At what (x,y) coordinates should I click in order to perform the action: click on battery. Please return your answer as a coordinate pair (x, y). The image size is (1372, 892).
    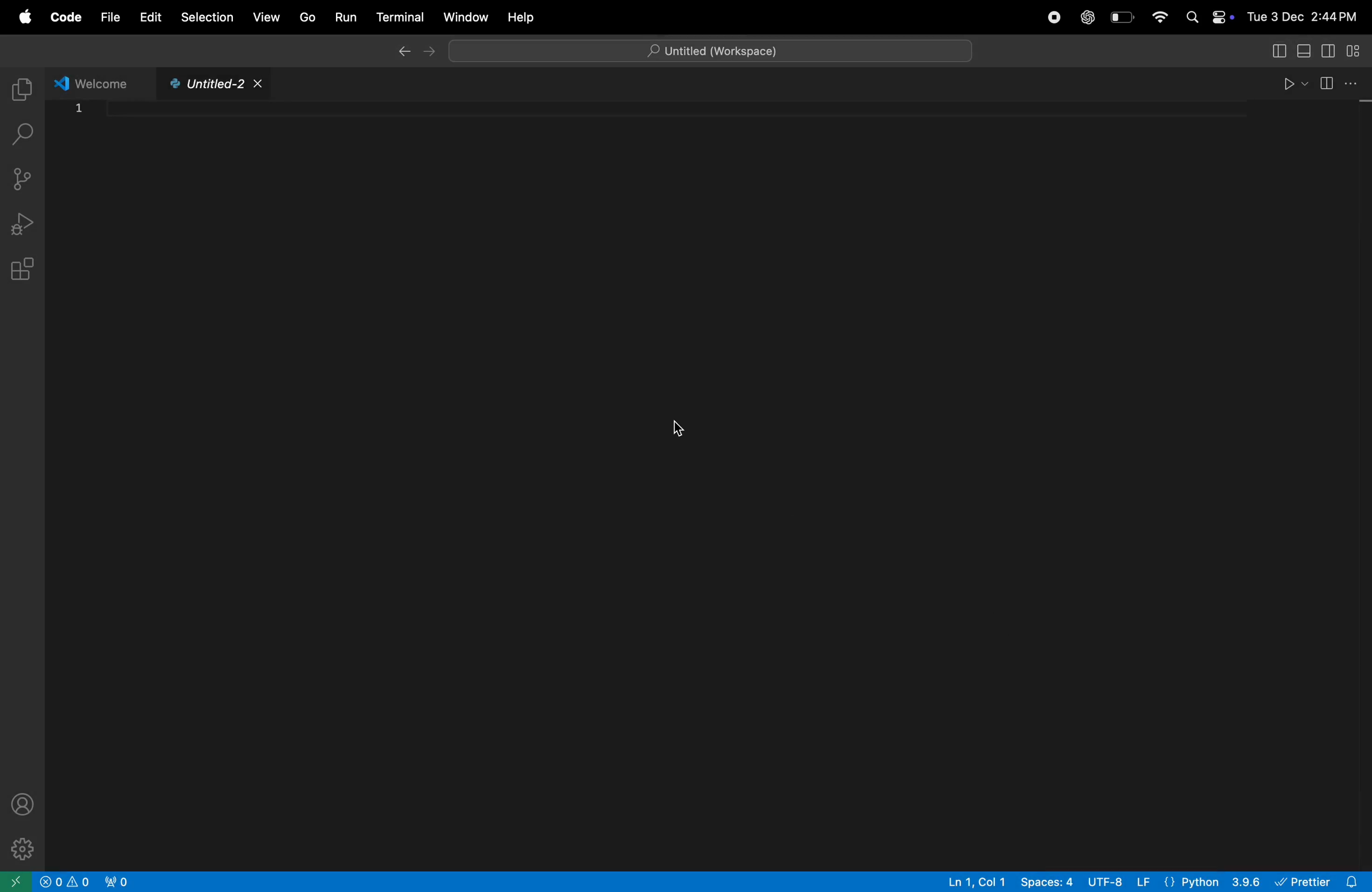
    Looking at the image, I should click on (1124, 17).